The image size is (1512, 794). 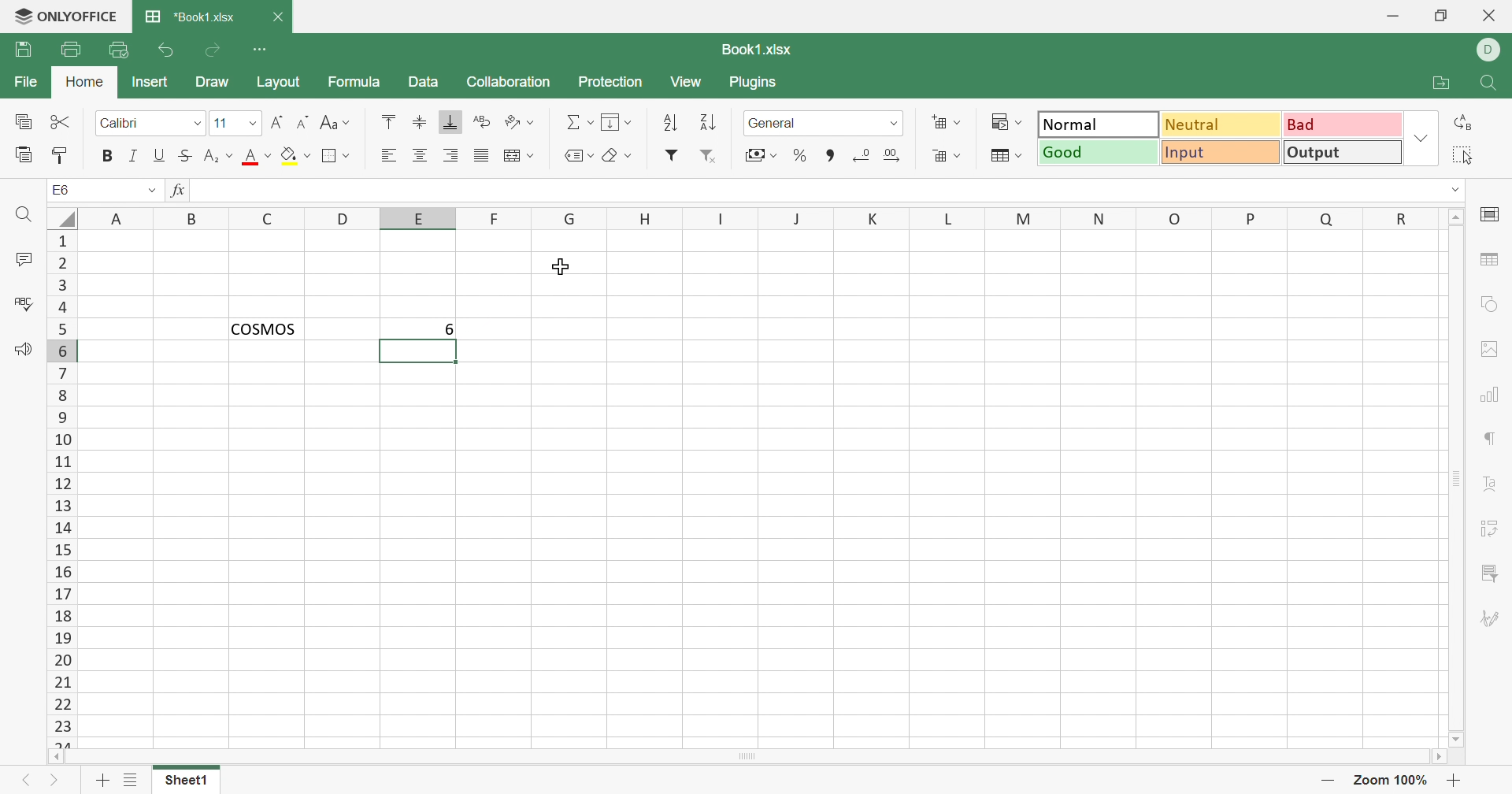 What do you see at coordinates (335, 123) in the screenshot?
I see `Change case` at bounding box center [335, 123].